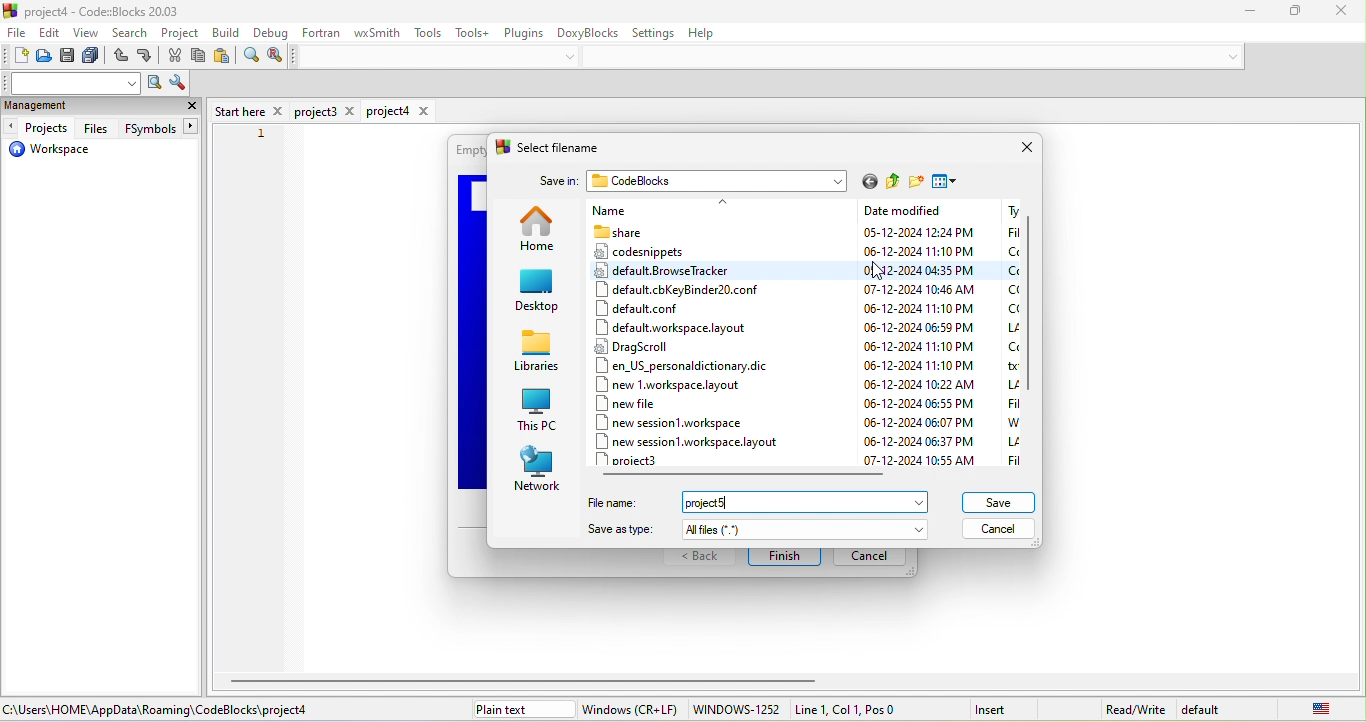 The image size is (1366, 722). Describe the element at coordinates (120, 58) in the screenshot. I see `undo` at that location.